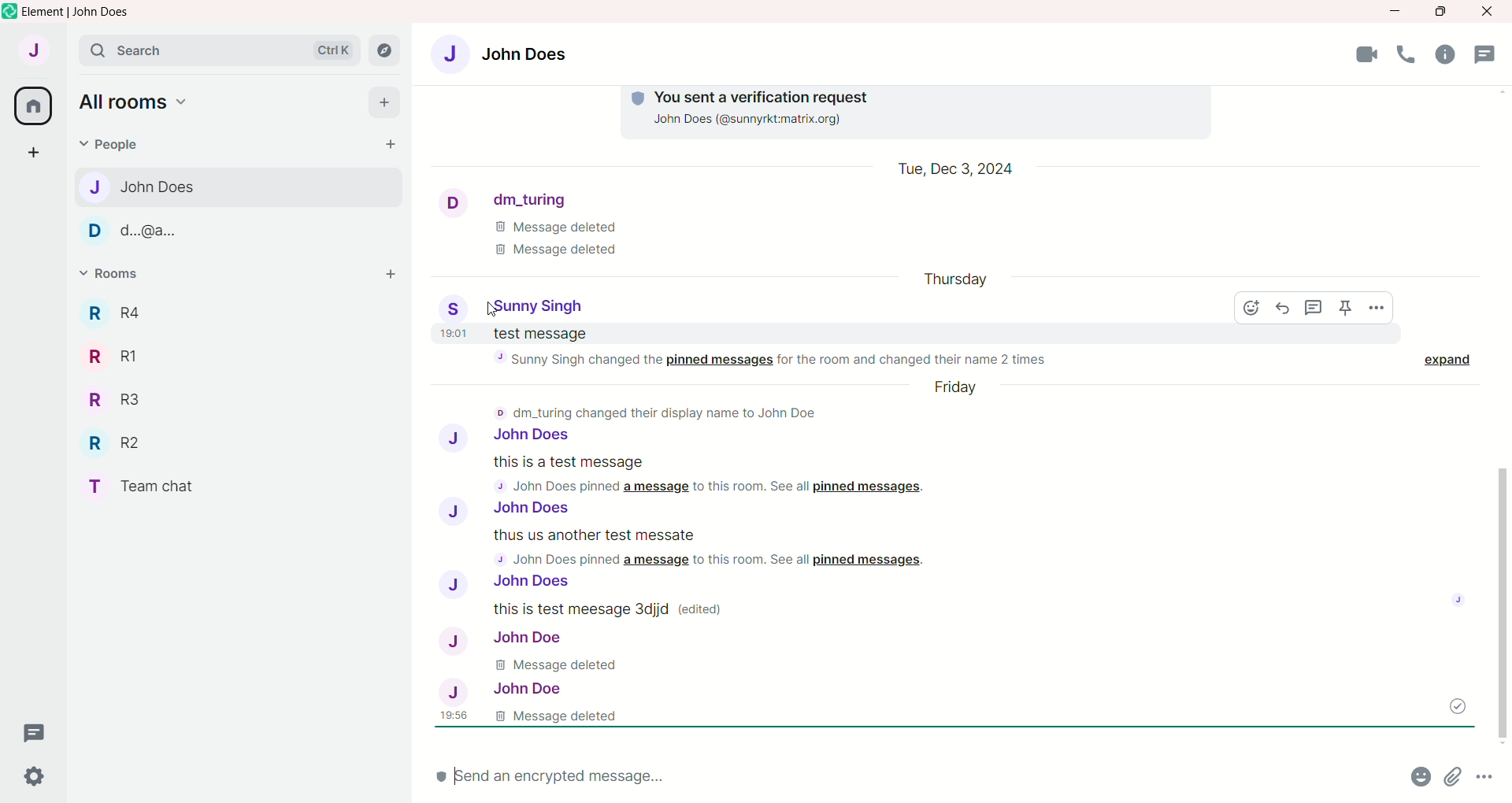 Image resolution: width=1512 pixels, height=803 pixels. What do you see at coordinates (1417, 777) in the screenshot?
I see `emoji` at bounding box center [1417, 777].